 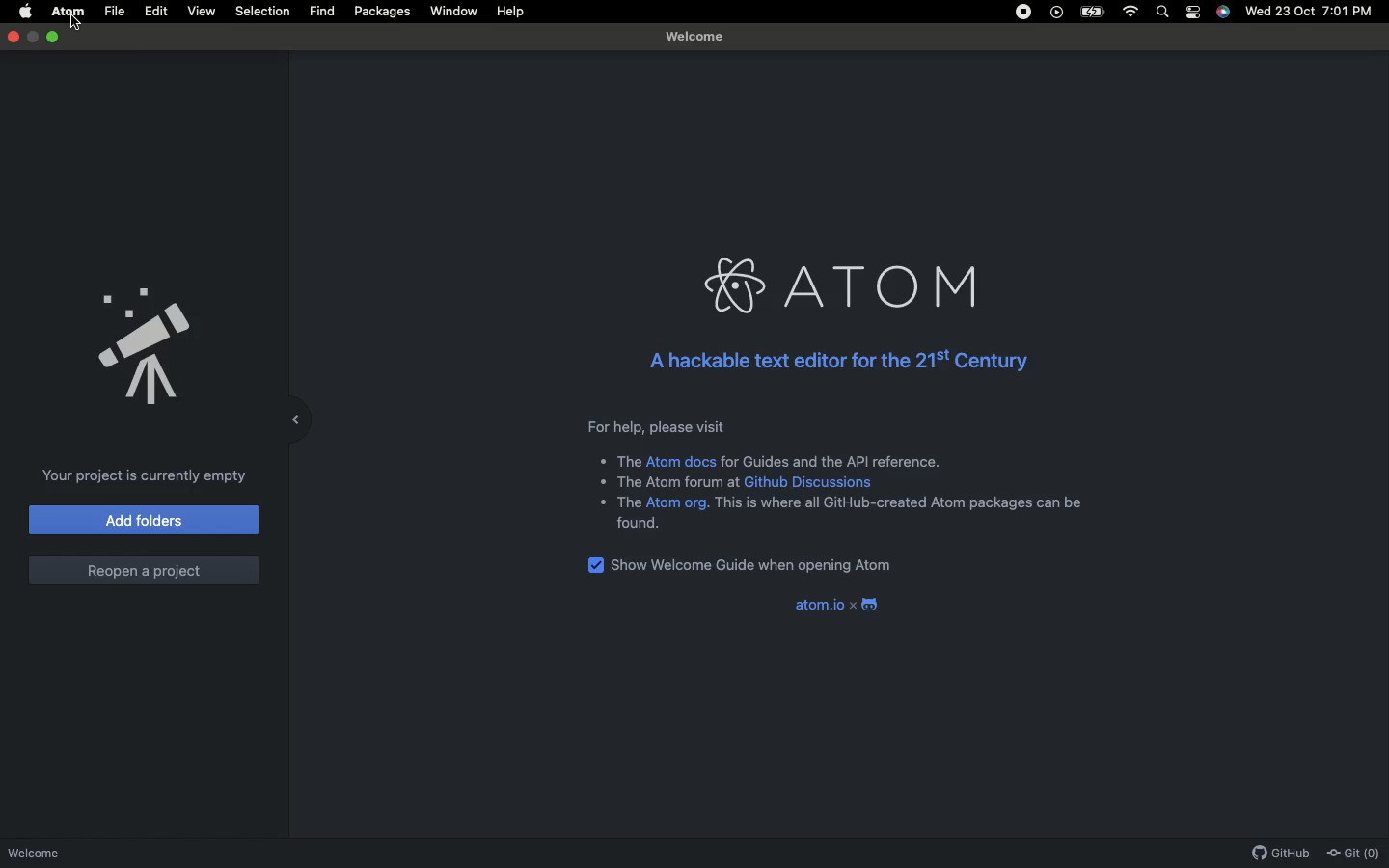 What do you see at coordinates (321, 12) in the screenshot?
I see `Find` at bounding box center [321, 12].